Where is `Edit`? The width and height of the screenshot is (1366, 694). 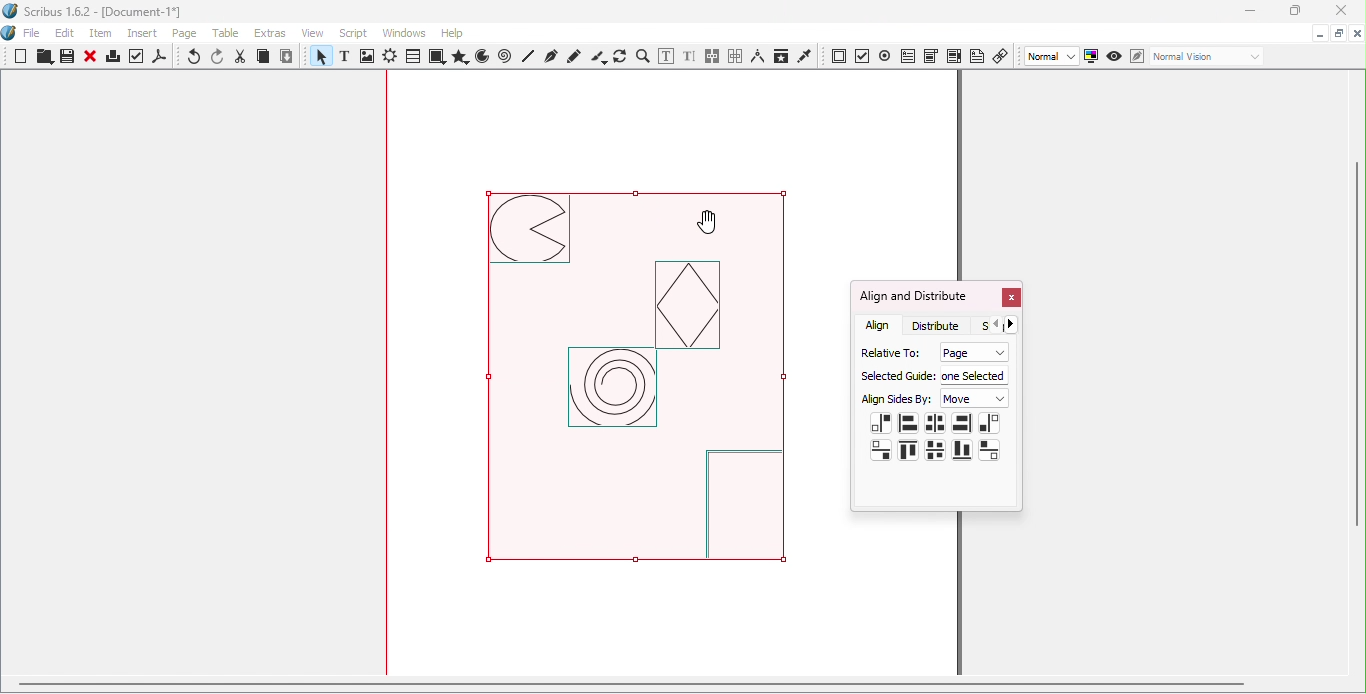
Edit is located at coordinates (65, 33).